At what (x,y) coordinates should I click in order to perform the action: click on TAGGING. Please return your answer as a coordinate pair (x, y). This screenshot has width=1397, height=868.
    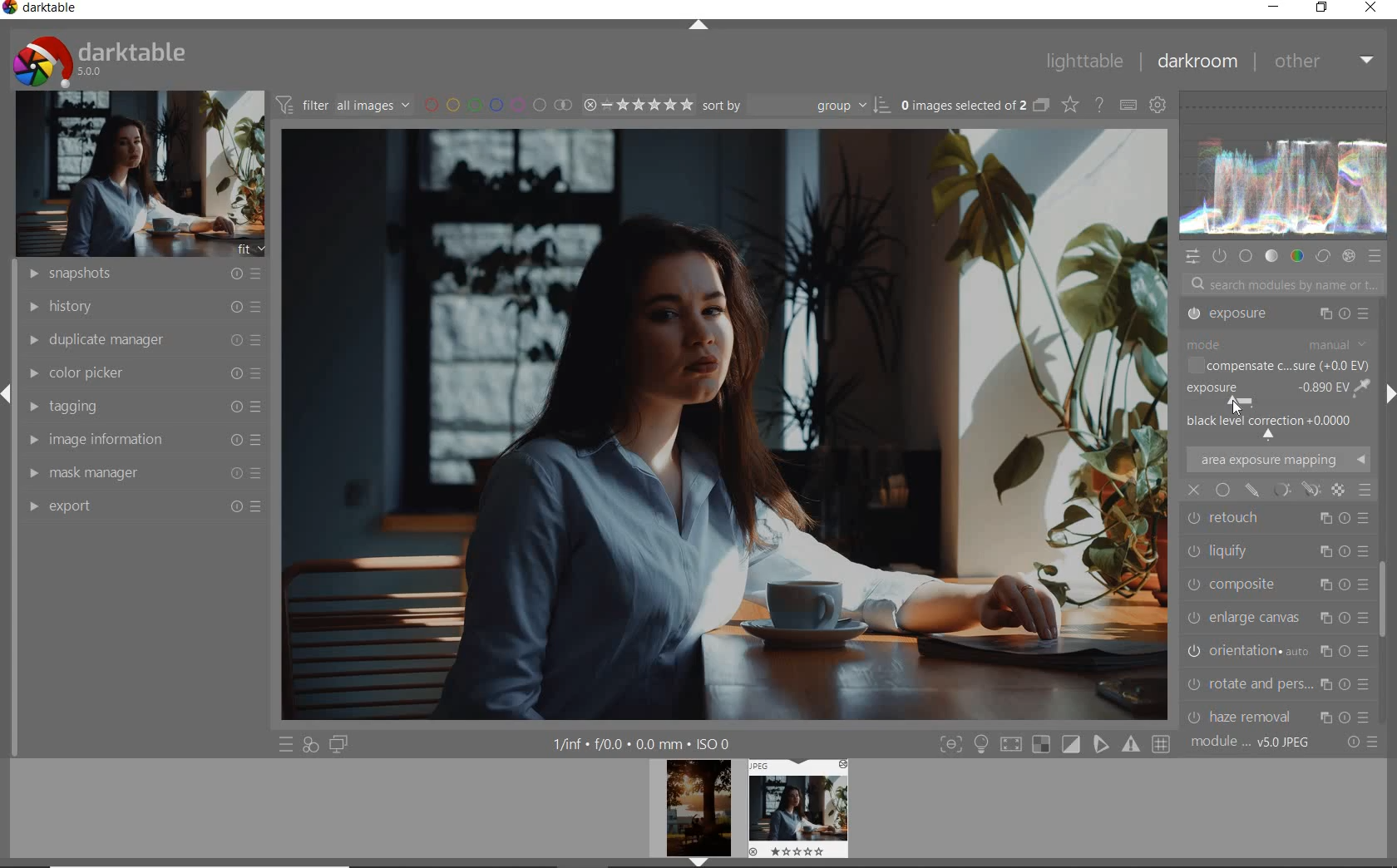
    Looking at the image, I should click on (141, 405).